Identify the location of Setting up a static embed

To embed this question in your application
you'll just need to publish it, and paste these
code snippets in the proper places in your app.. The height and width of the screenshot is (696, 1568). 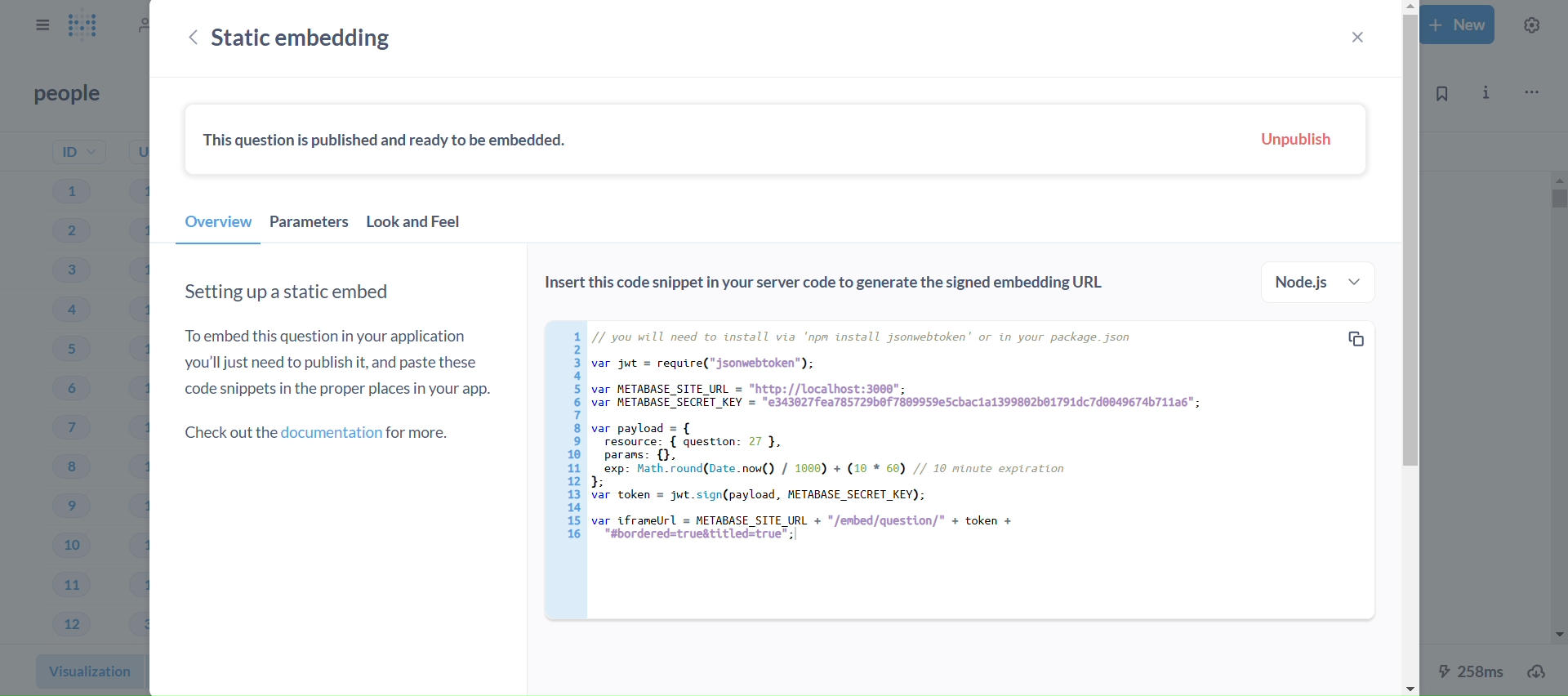
(339, 339).